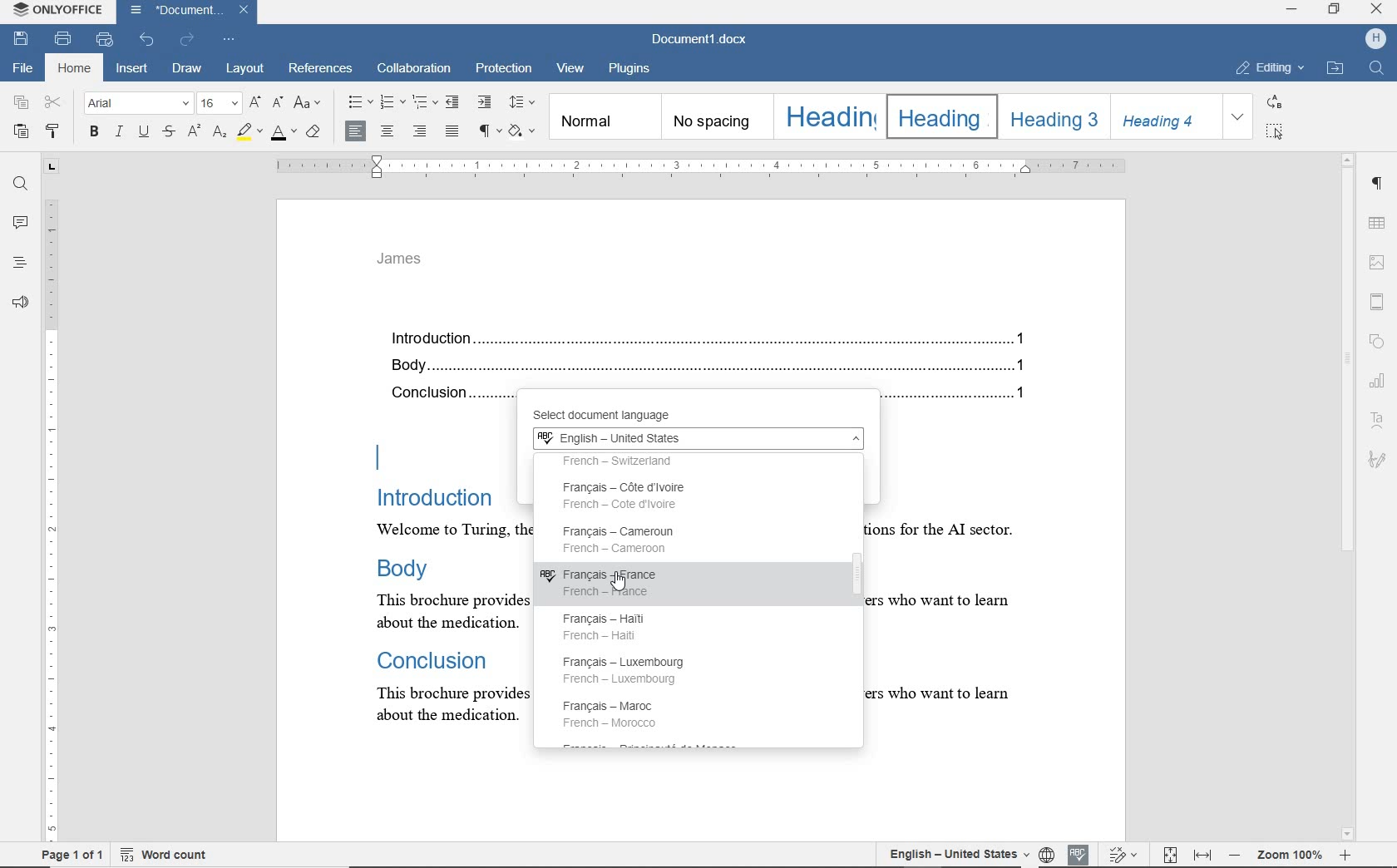 The width and height of the screenshot is (1397, 868). I want to click on set document language, so click(950, 853).